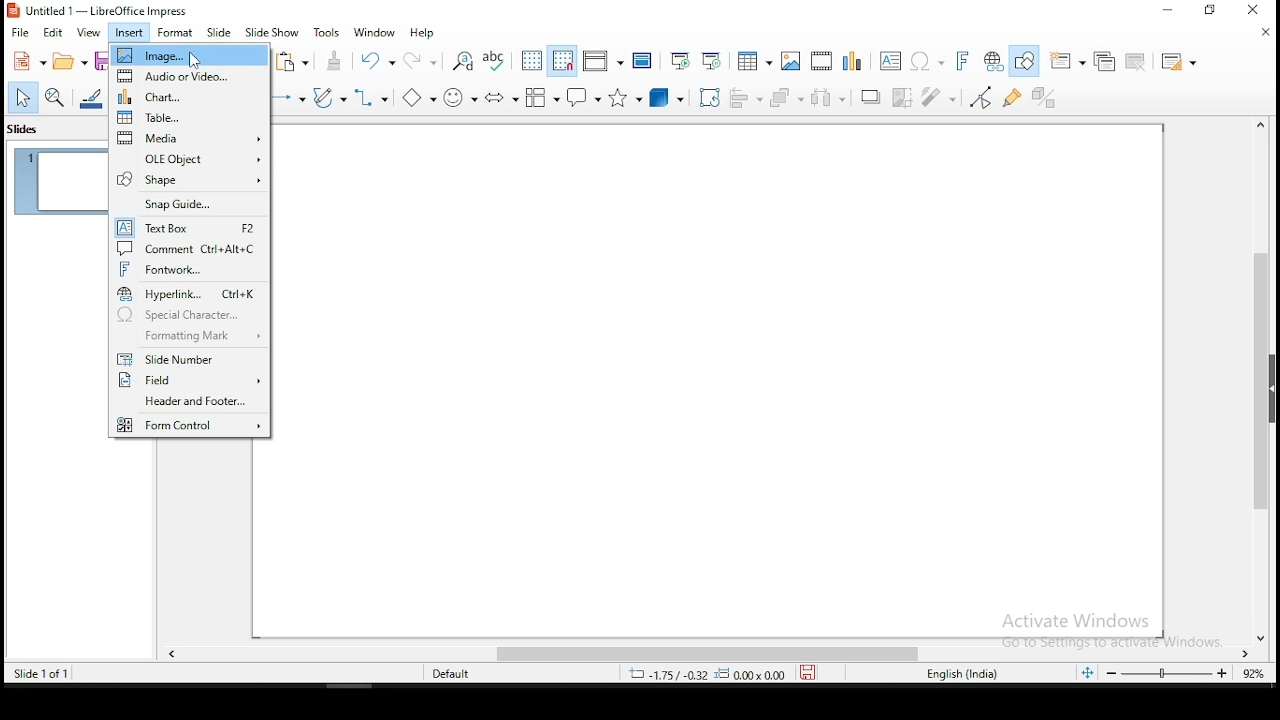 This screenshot has width=1280, height=720. I want to click on zoom level, so click(1167, 674).